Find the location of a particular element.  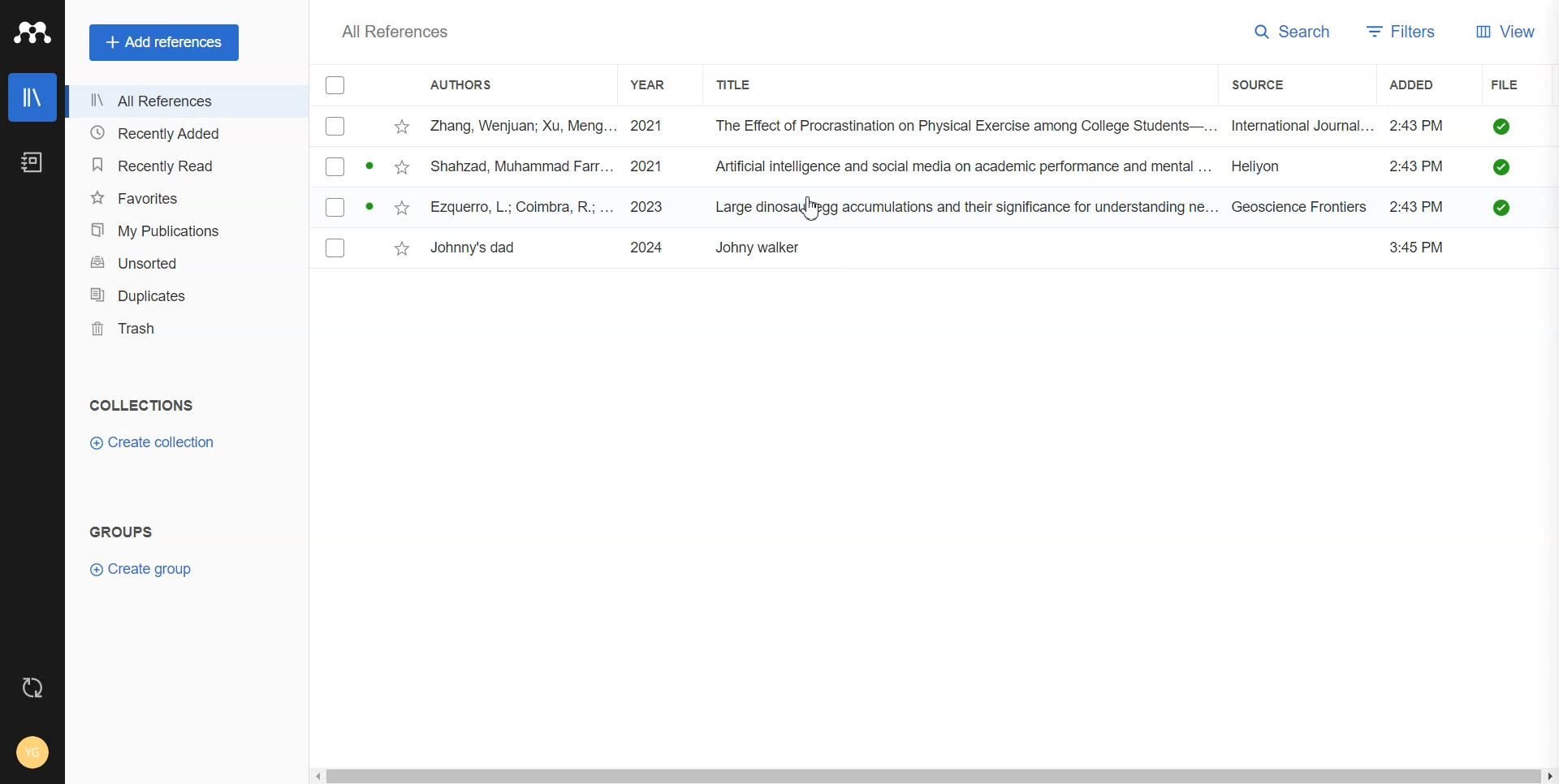

Large dinosaurs egg accumulation and their sgnificance in understandig is located at coordinates (967, 207).